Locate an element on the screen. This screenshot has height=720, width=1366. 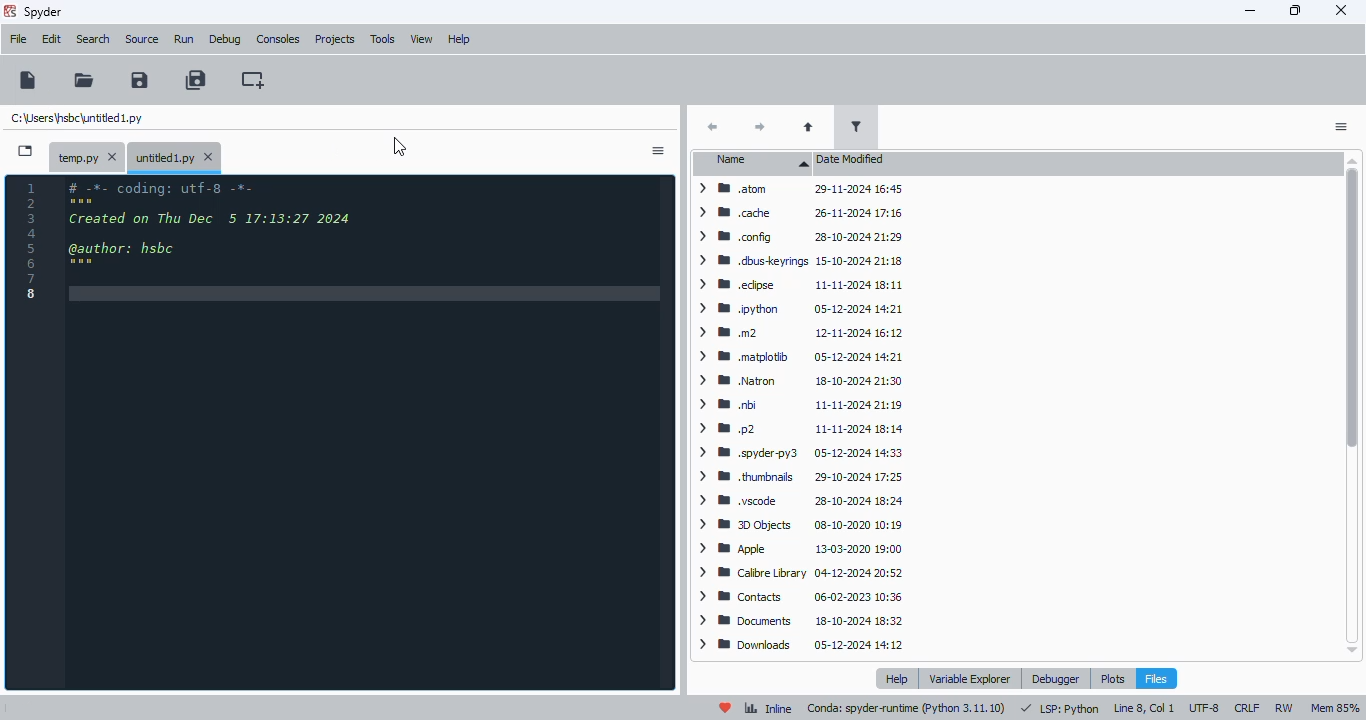
RW is located at coordinates (1284, 707).